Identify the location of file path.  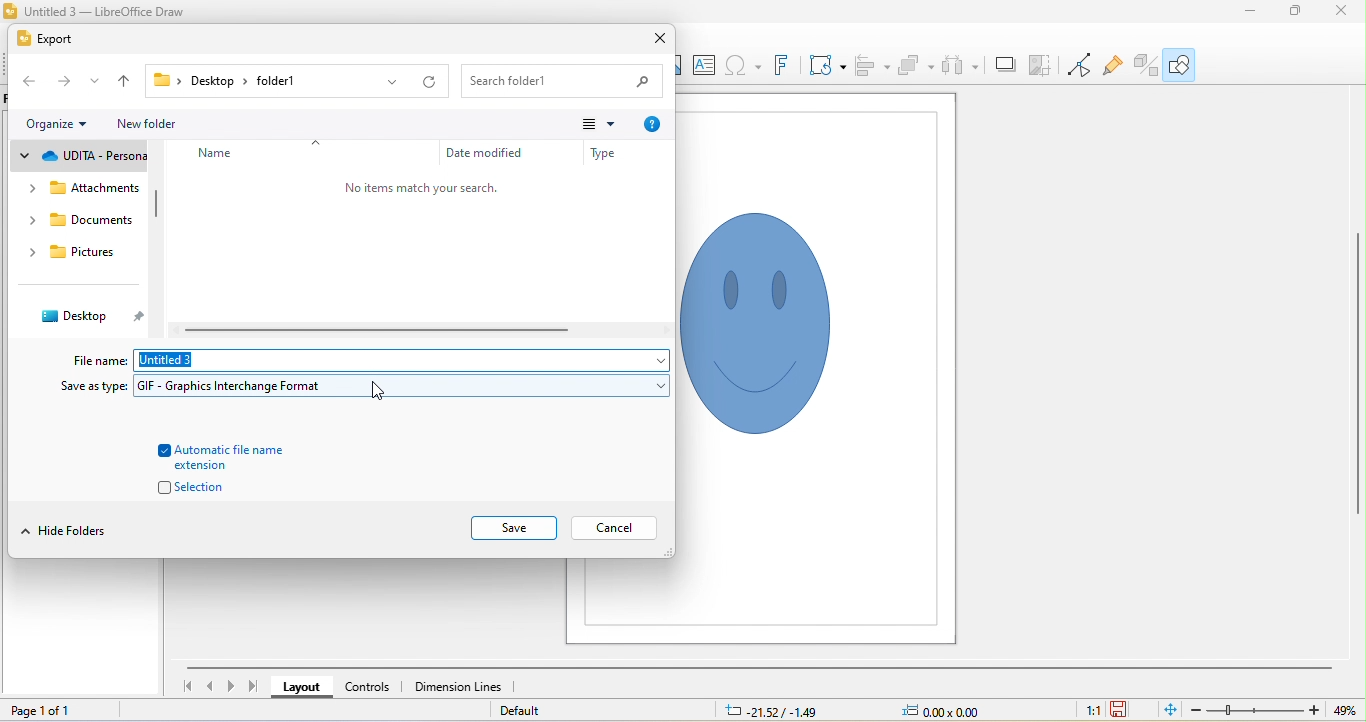
(231, 80).